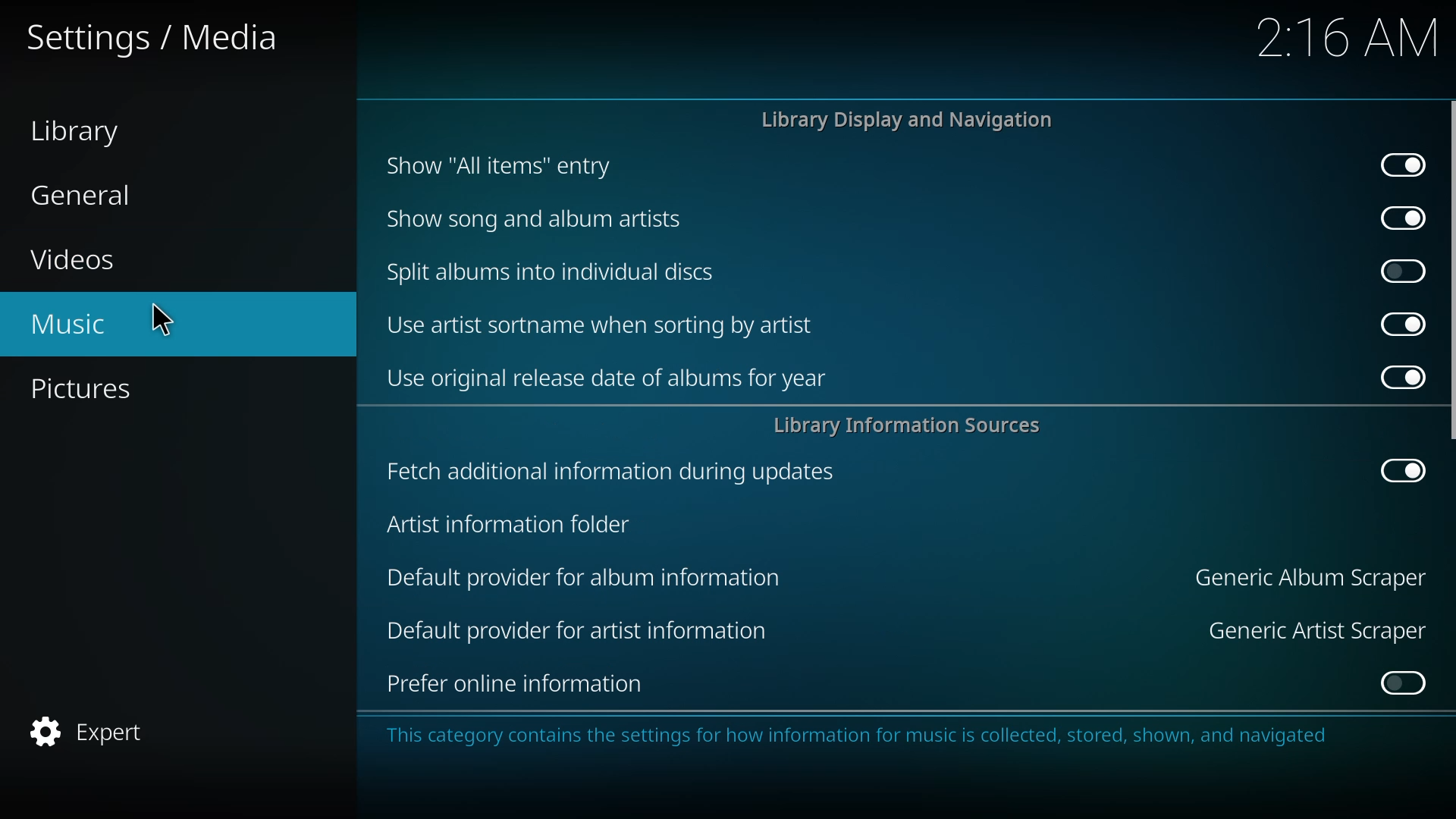 This screenshot has height=819, width=1456. What do you see at coordinates (1454, 269) in the screenshot?
I see `scroll bar` at bounding box center [1454, 269].